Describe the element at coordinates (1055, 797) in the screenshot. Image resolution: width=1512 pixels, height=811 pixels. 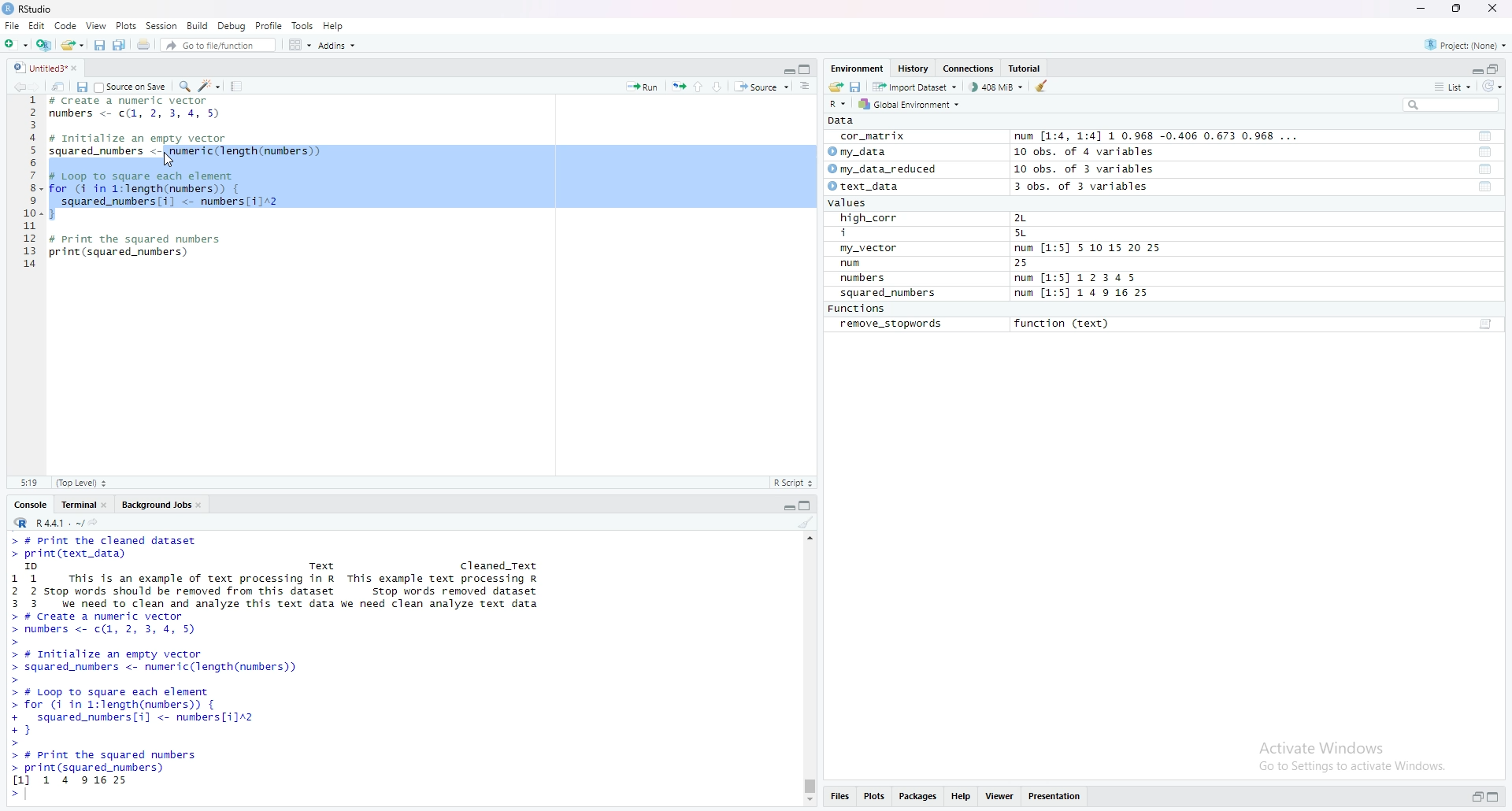
I see `Presentation` at that location.